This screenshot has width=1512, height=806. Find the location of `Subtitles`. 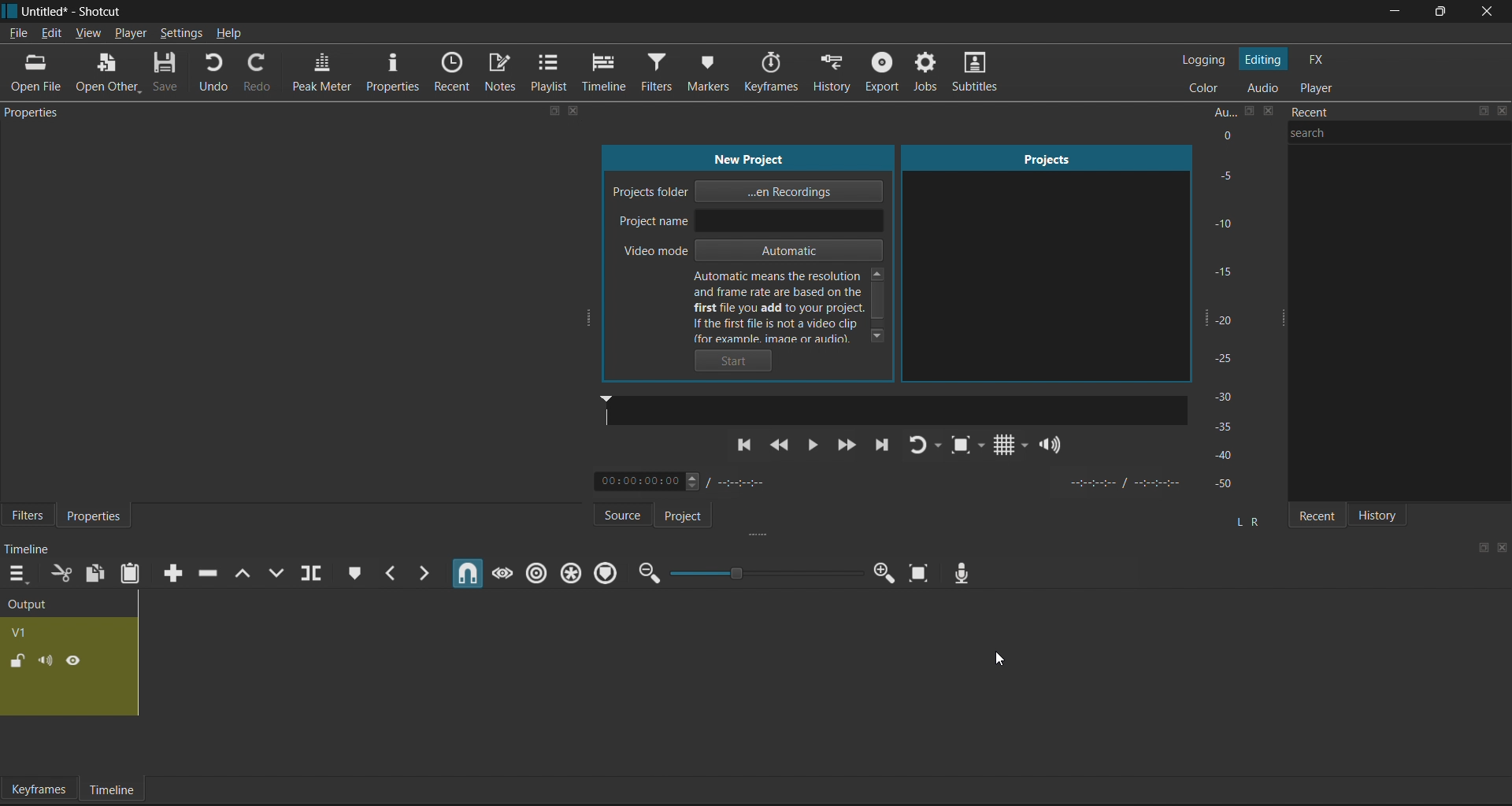

Subtitles is located at coordinates (982, 76).